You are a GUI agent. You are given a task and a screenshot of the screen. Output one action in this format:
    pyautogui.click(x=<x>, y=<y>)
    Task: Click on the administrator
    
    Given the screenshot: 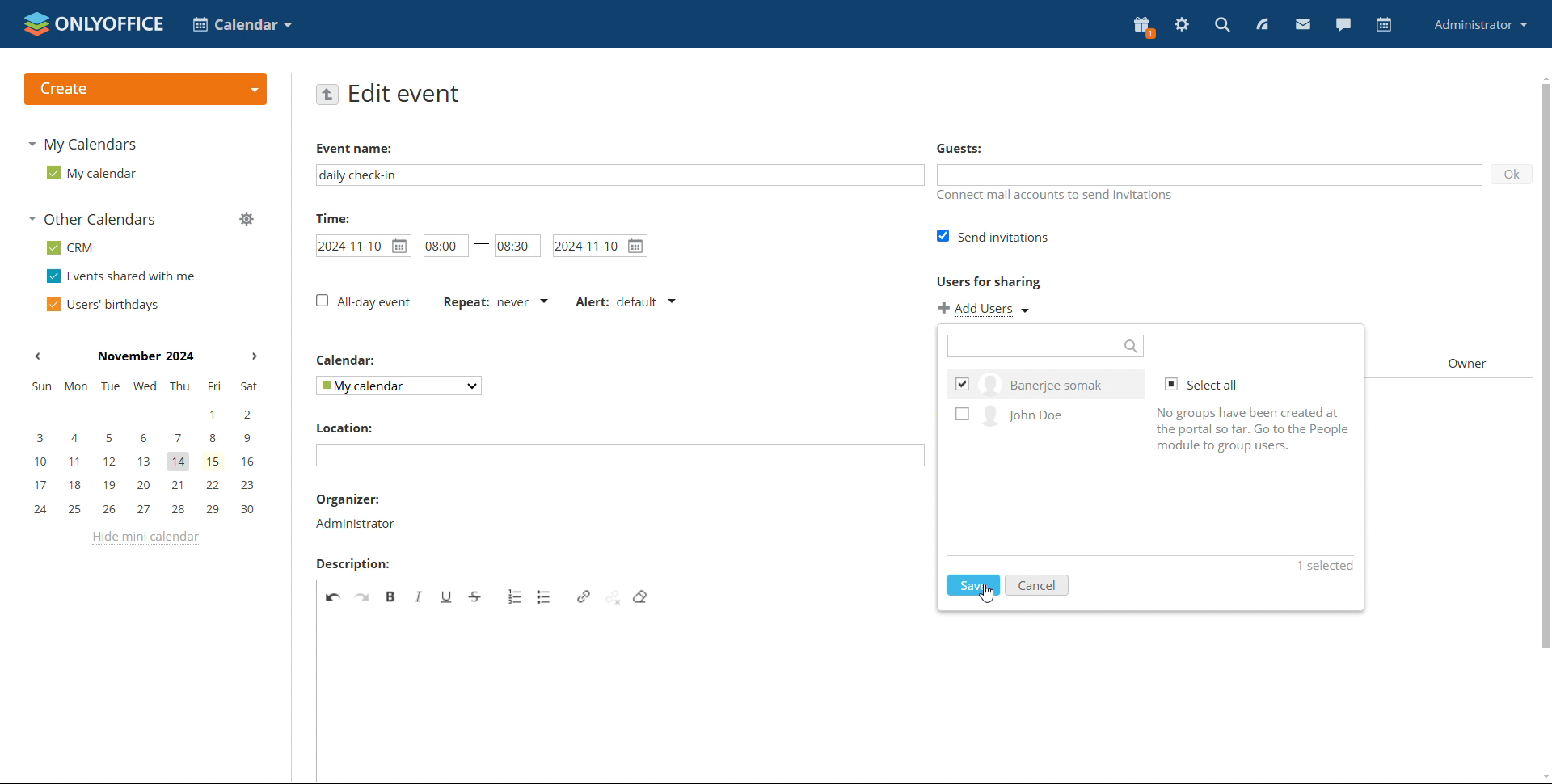 What is the action you would take?
    pyautogui.click(x=354, y=523)
    